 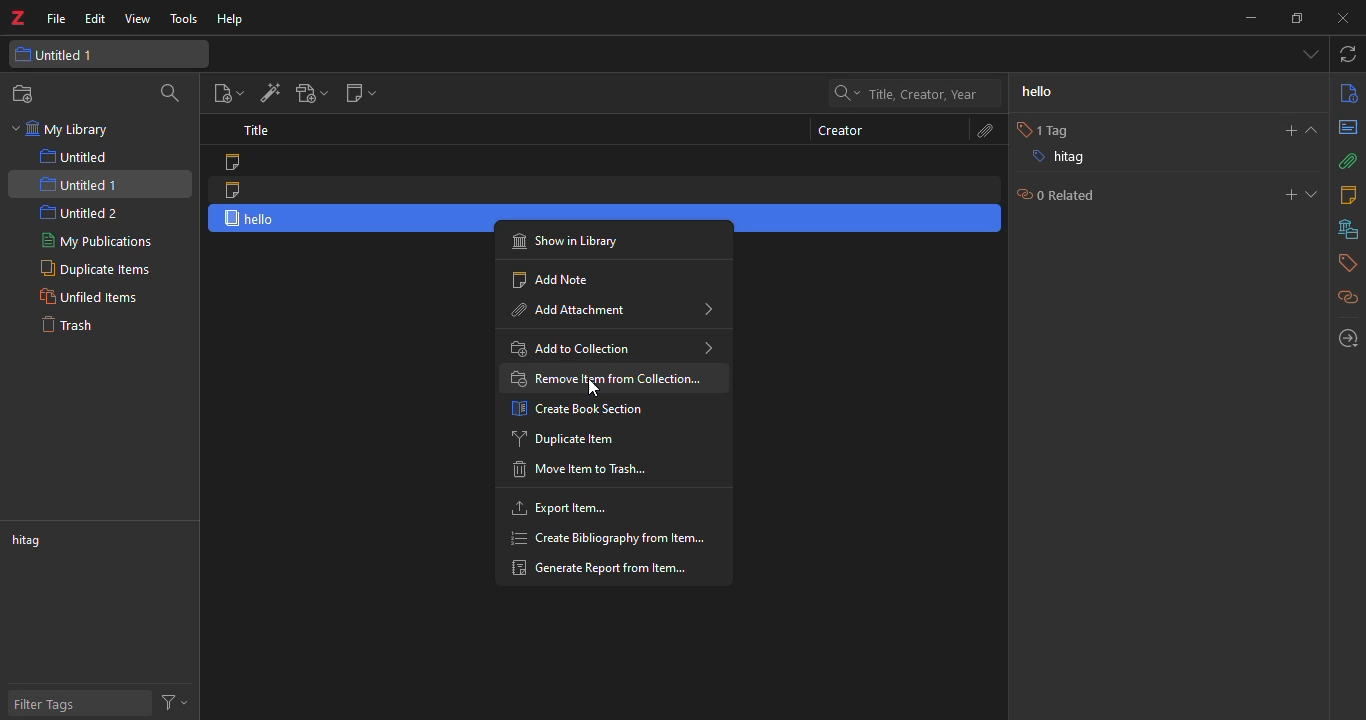 I want to click on hitag, so click(x=1056, y=160).